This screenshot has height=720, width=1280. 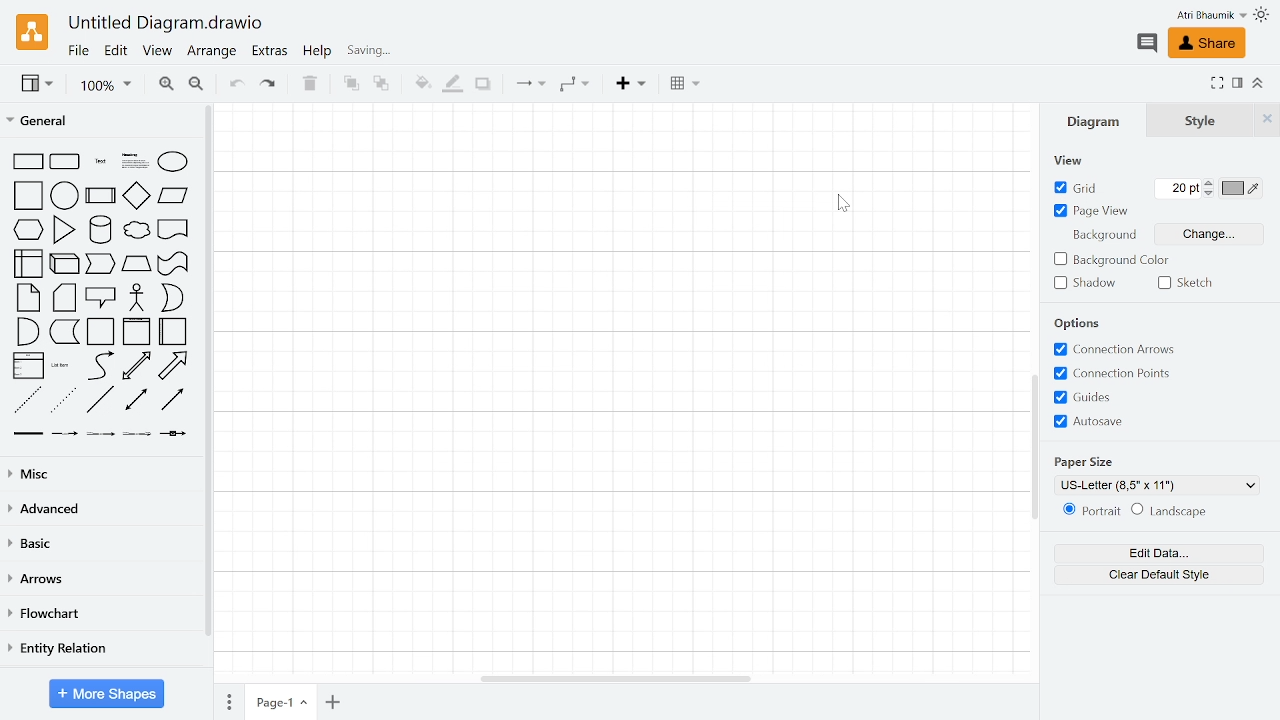 I want to click on Fullsreen, so click(x=1217, y=84).